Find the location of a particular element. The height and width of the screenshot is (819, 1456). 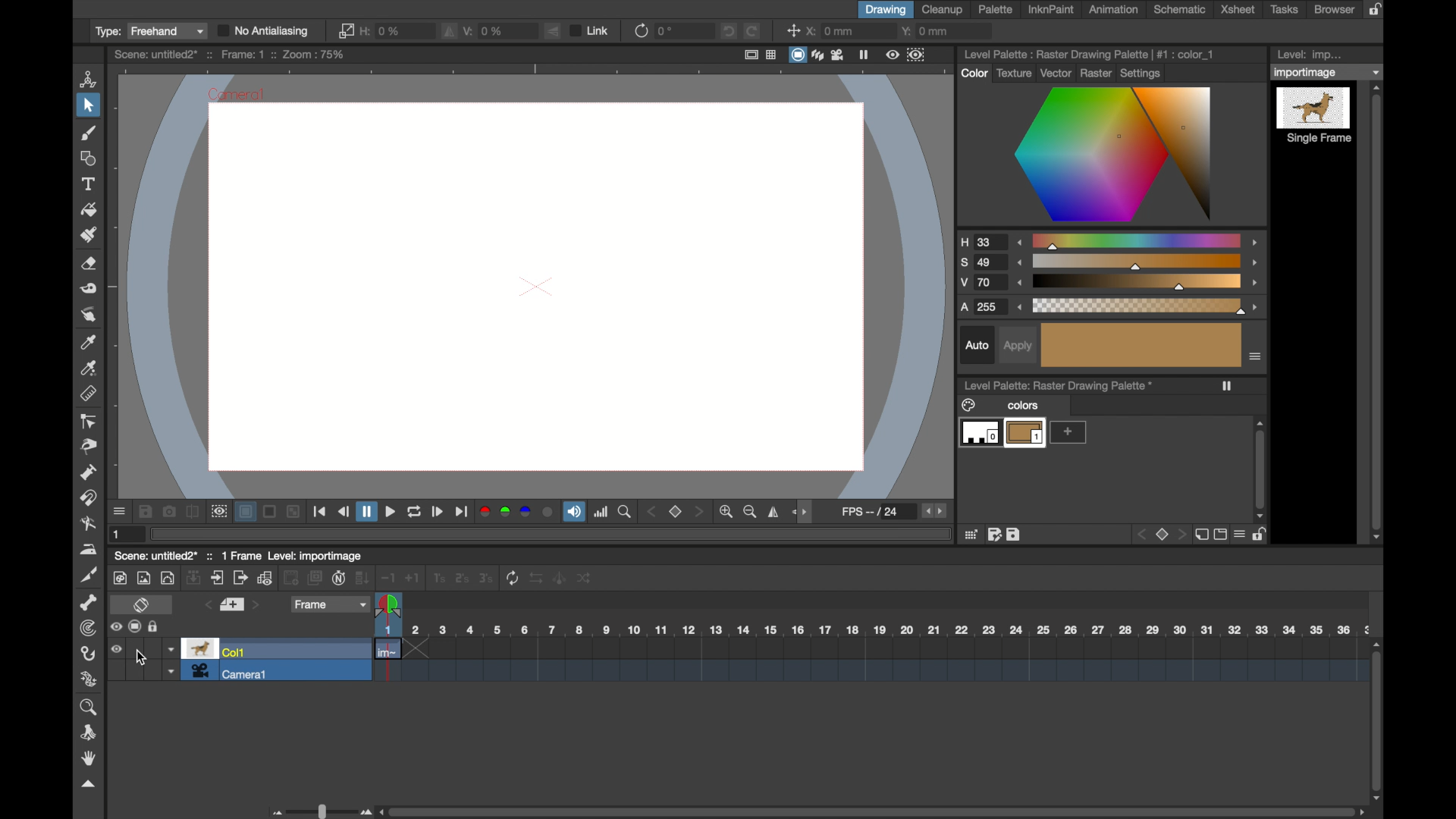

more is located at coordinates (1068, 432).